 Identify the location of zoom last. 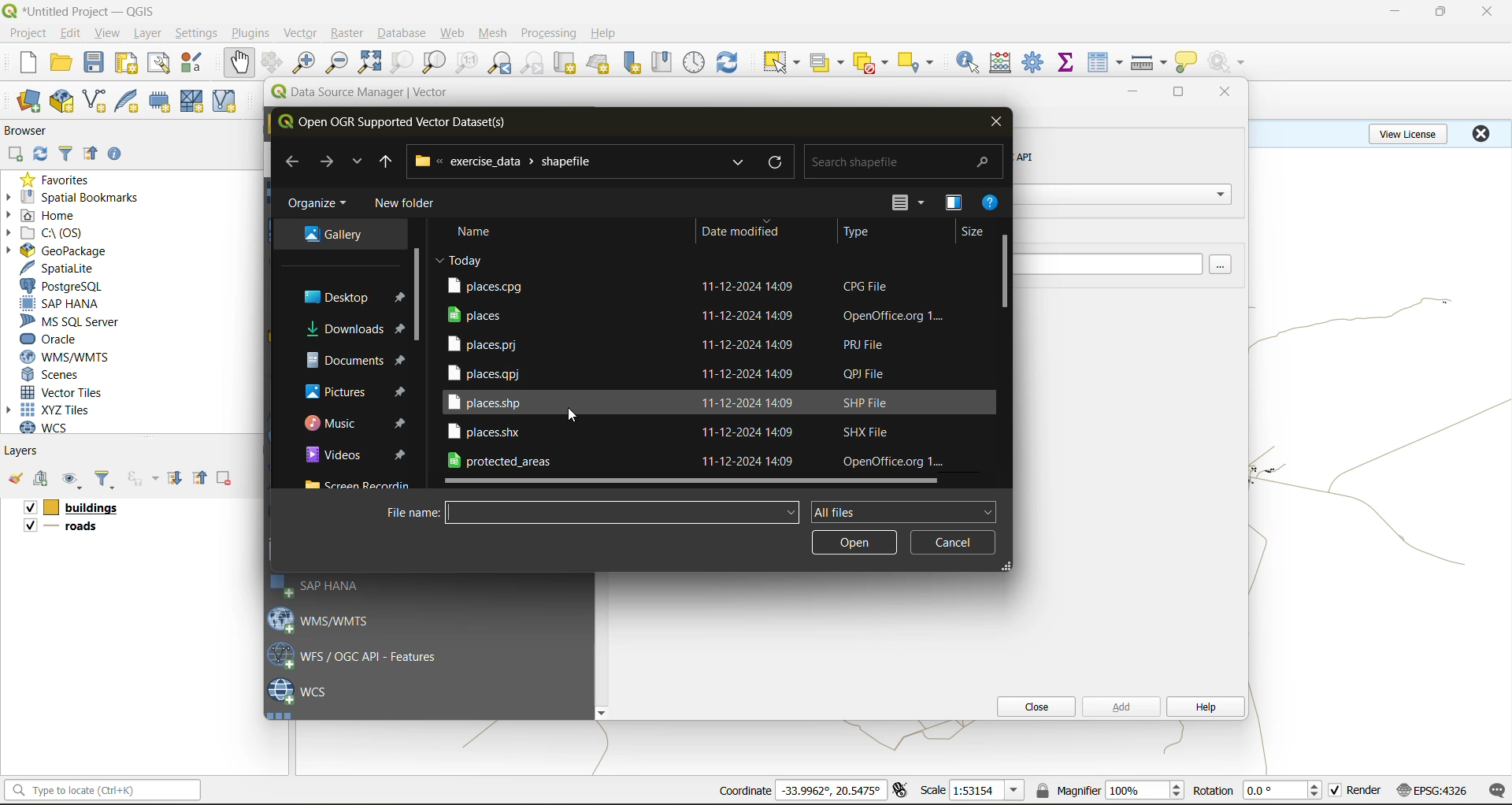
(499, 63).